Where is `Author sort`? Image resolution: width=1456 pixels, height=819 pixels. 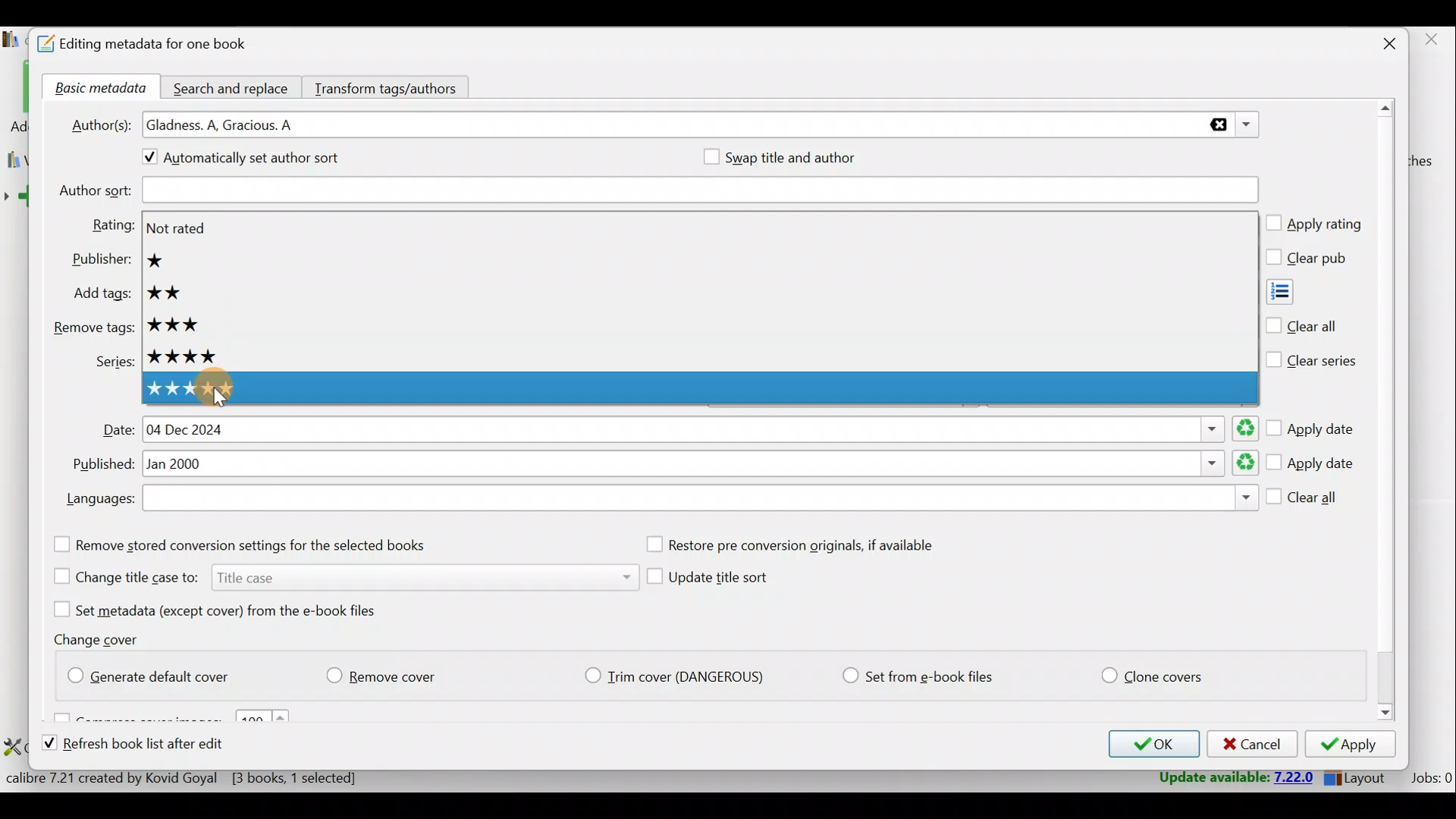
Author sort is located at coordinates (699, 191).